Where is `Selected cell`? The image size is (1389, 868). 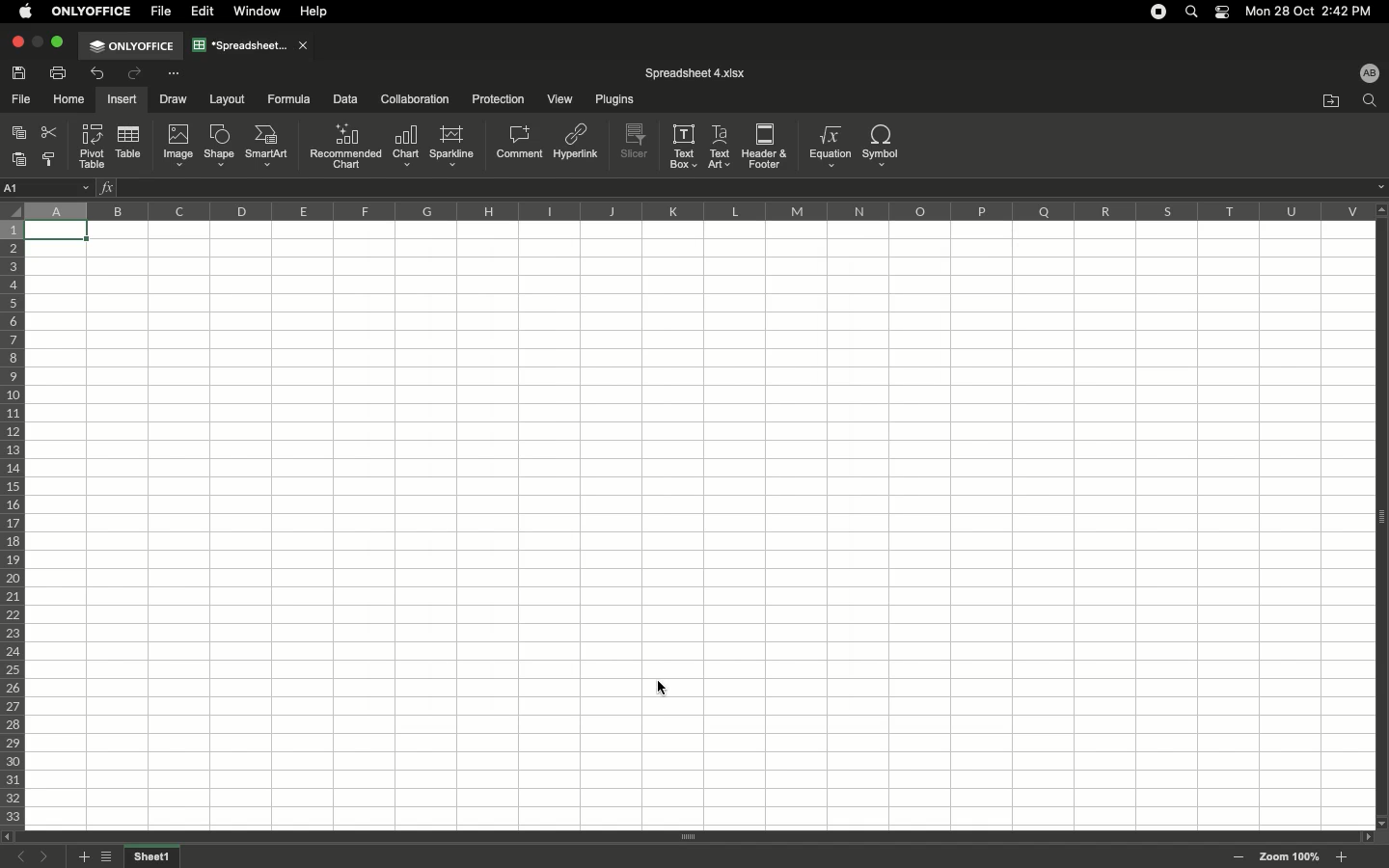
Selected cell is located at coordinates (58, 232).